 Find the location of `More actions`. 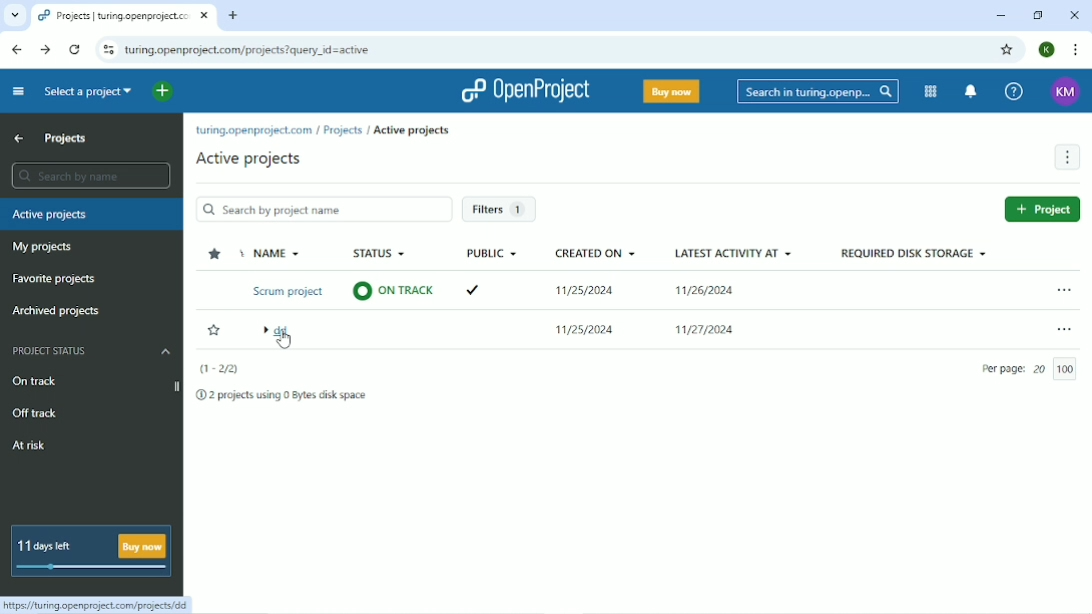

More actions is located at coordinates (1067, 291).